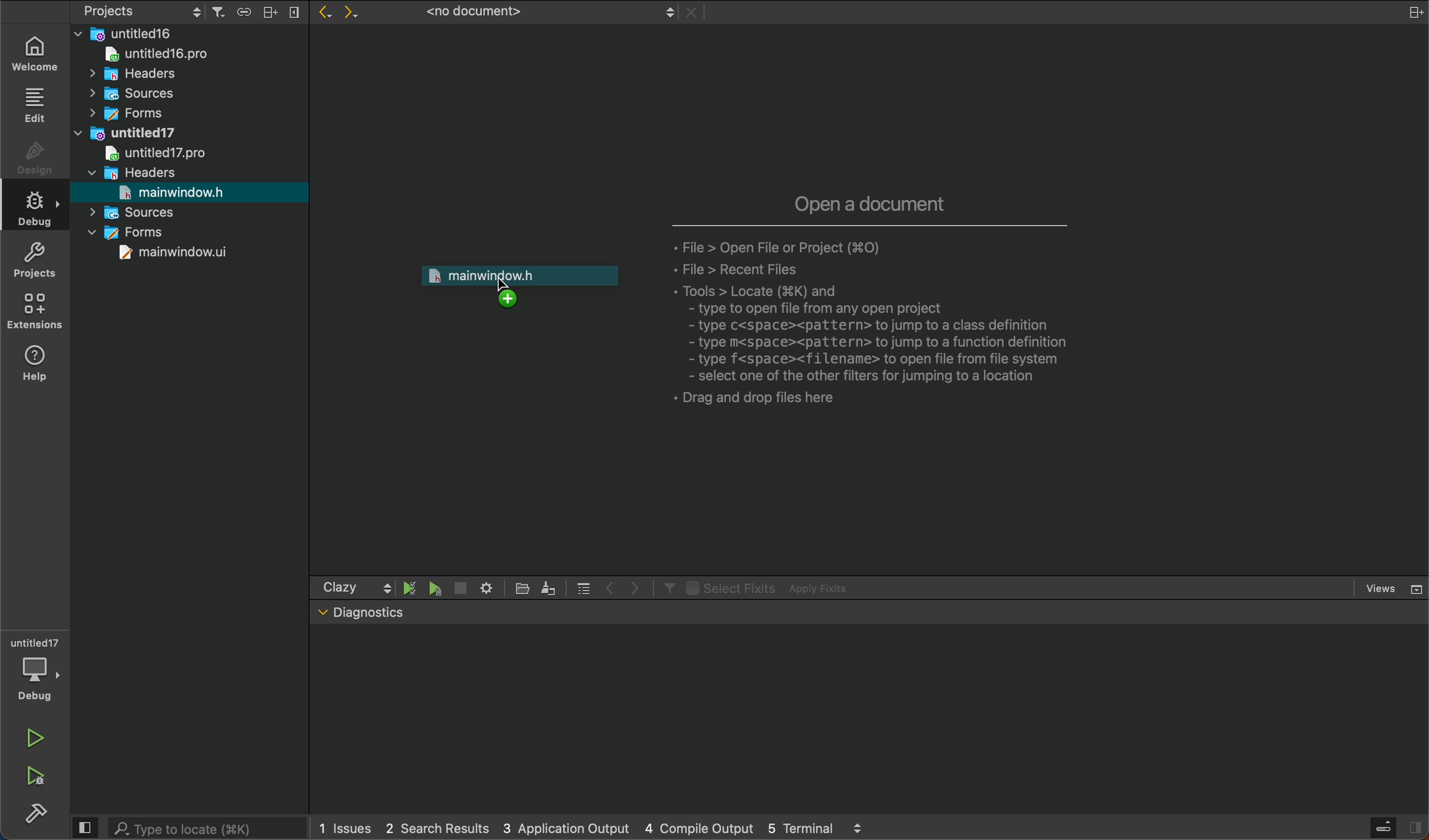  What do you see at coordinates (151, 53) in the screenshot?
I see `untitled16.pro` at bounding box center [151, 53].